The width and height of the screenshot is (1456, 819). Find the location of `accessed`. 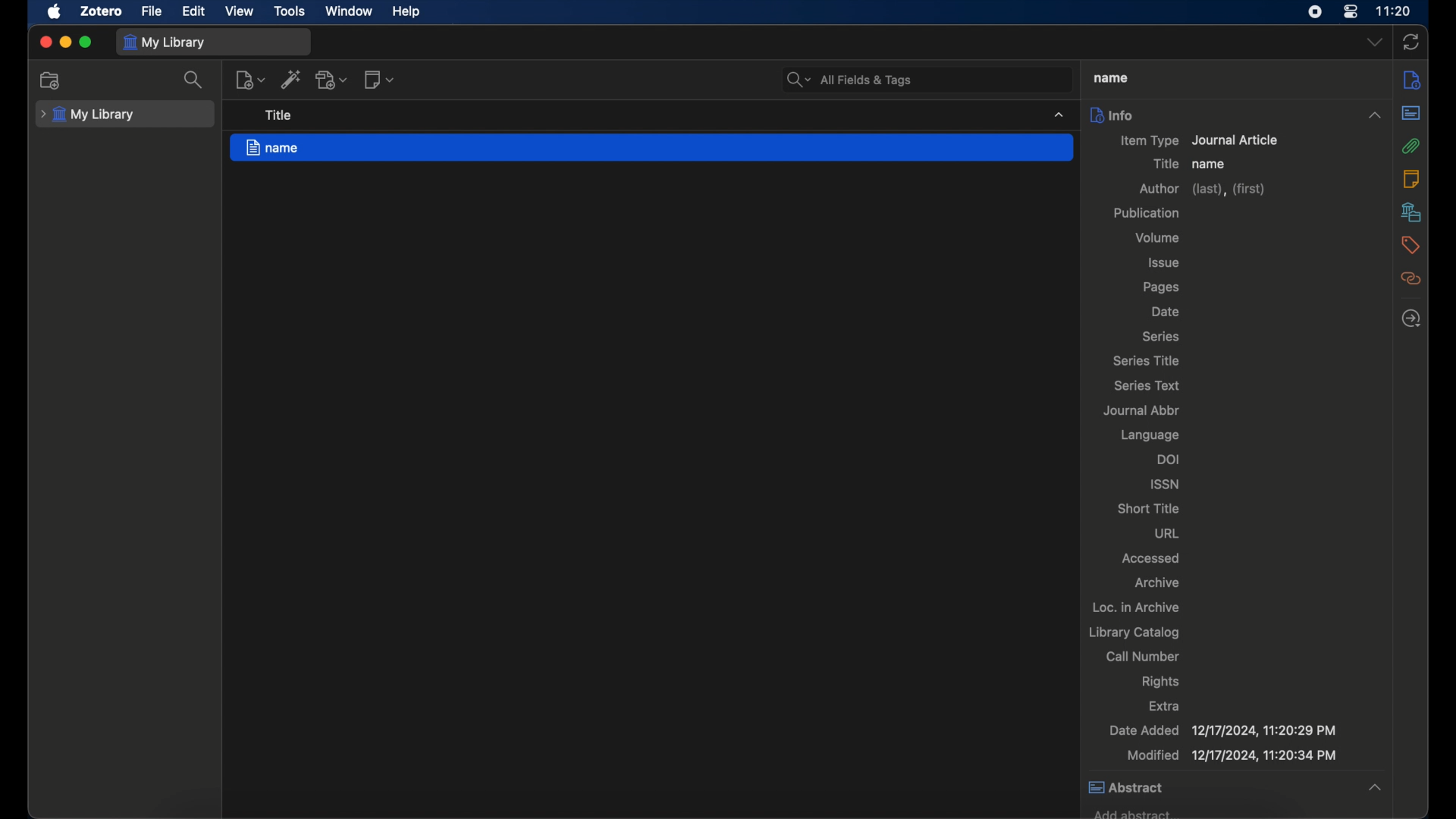

accessed is located at coordinates (1151, 558).